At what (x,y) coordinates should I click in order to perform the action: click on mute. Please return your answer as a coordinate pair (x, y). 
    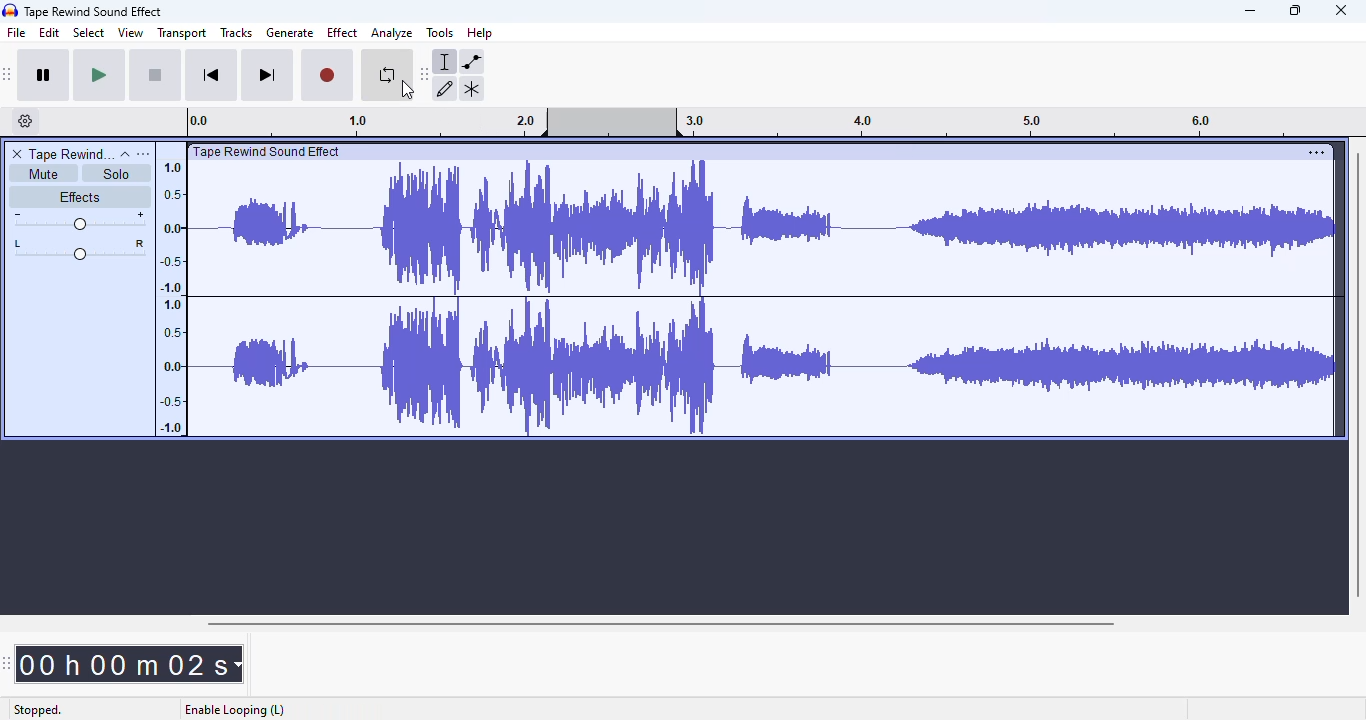
    Looking at the image, I should click on (39, 173).